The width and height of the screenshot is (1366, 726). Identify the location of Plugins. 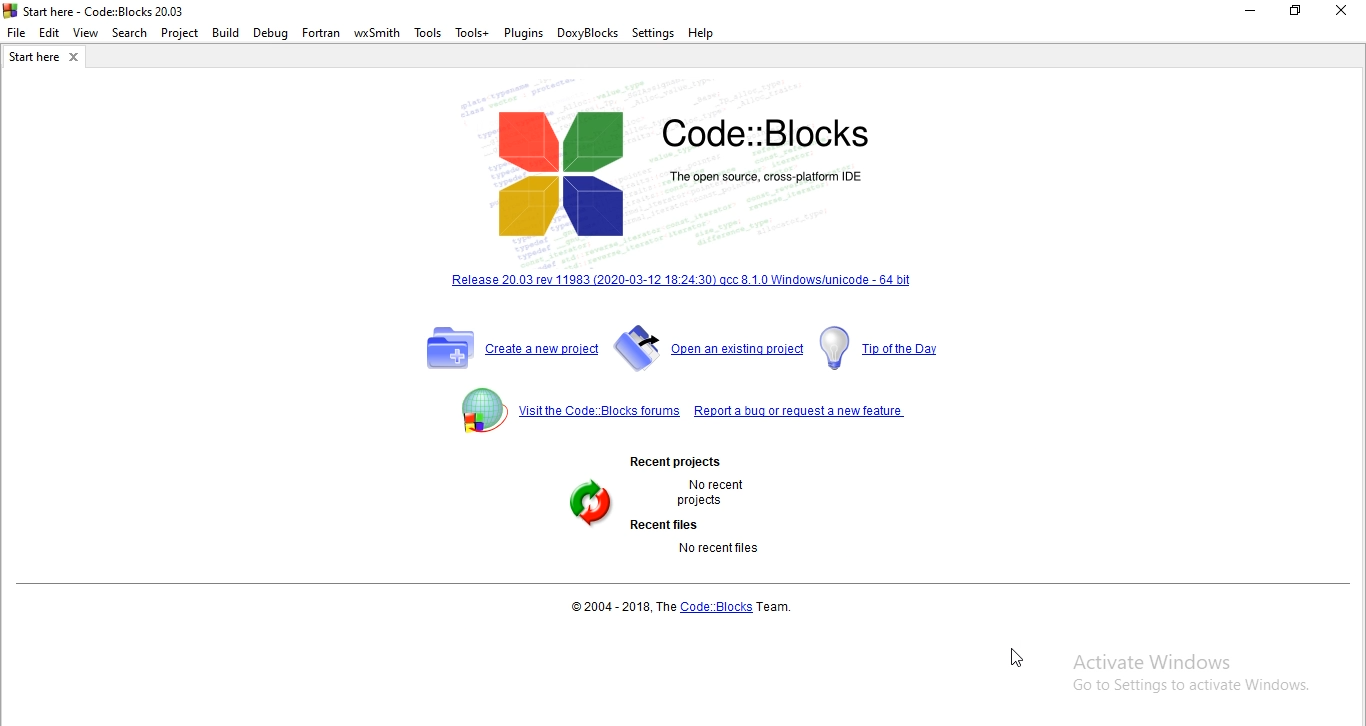
(524, 32).